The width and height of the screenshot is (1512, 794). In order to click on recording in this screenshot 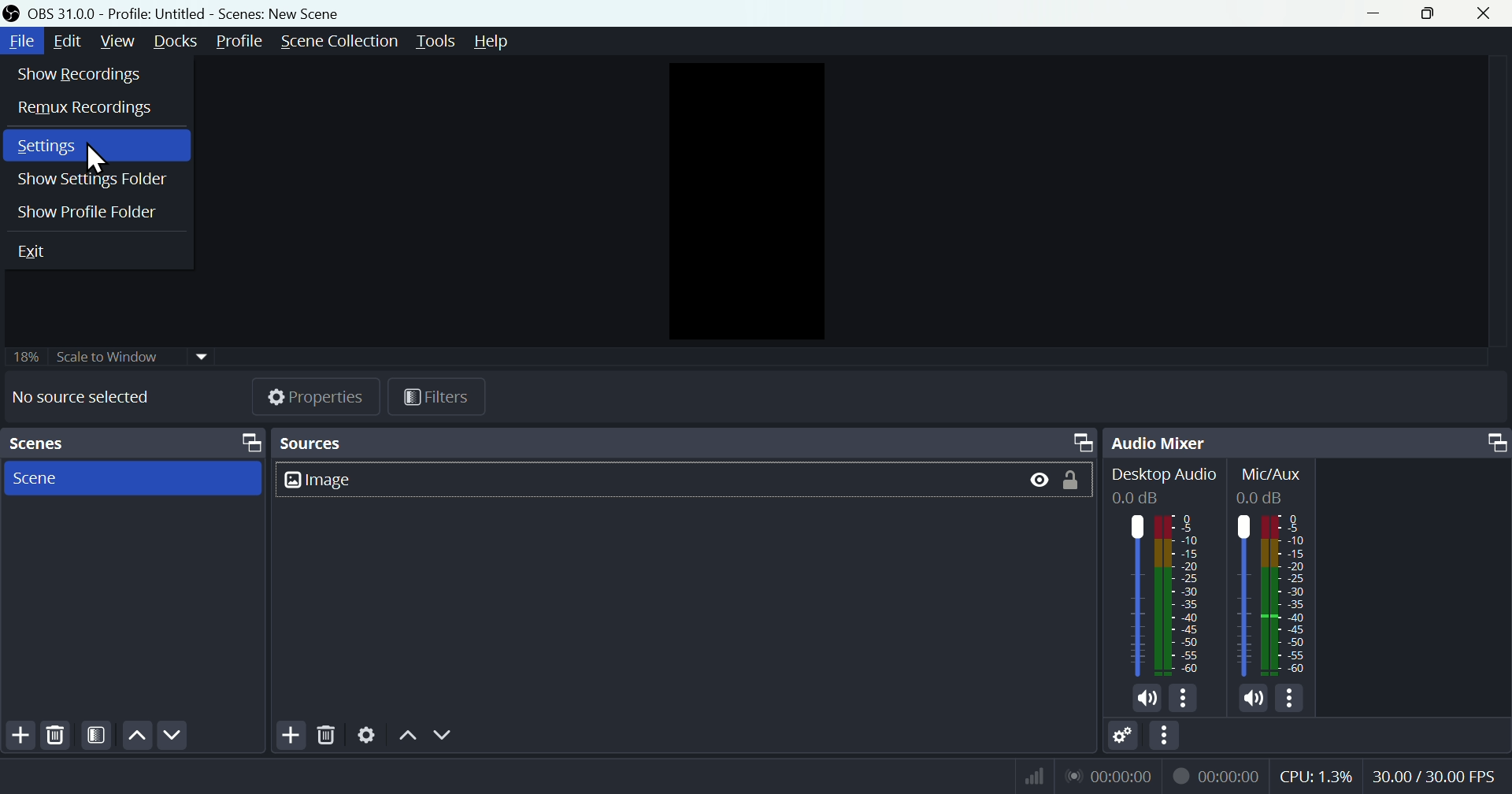, I will do `click(1217, 776)`.